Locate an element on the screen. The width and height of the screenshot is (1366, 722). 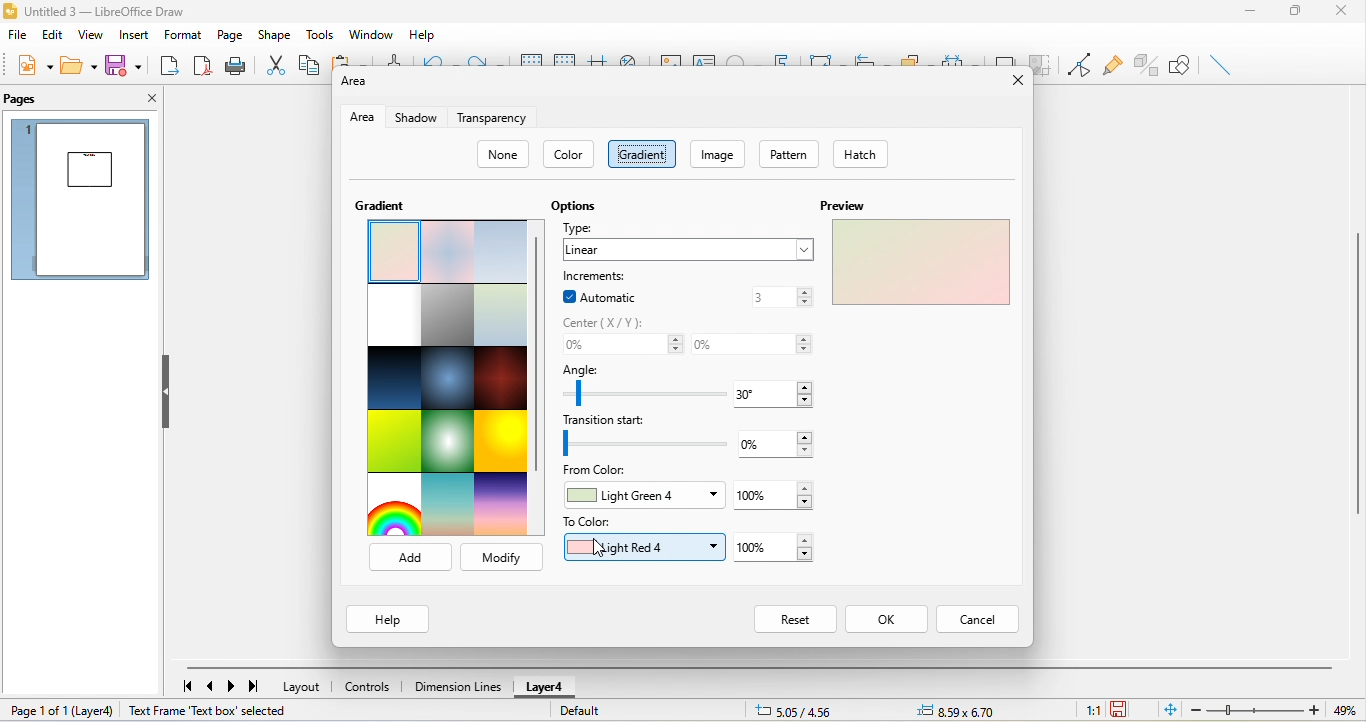
toggle extrusion is located at coordinates (1147, 62).